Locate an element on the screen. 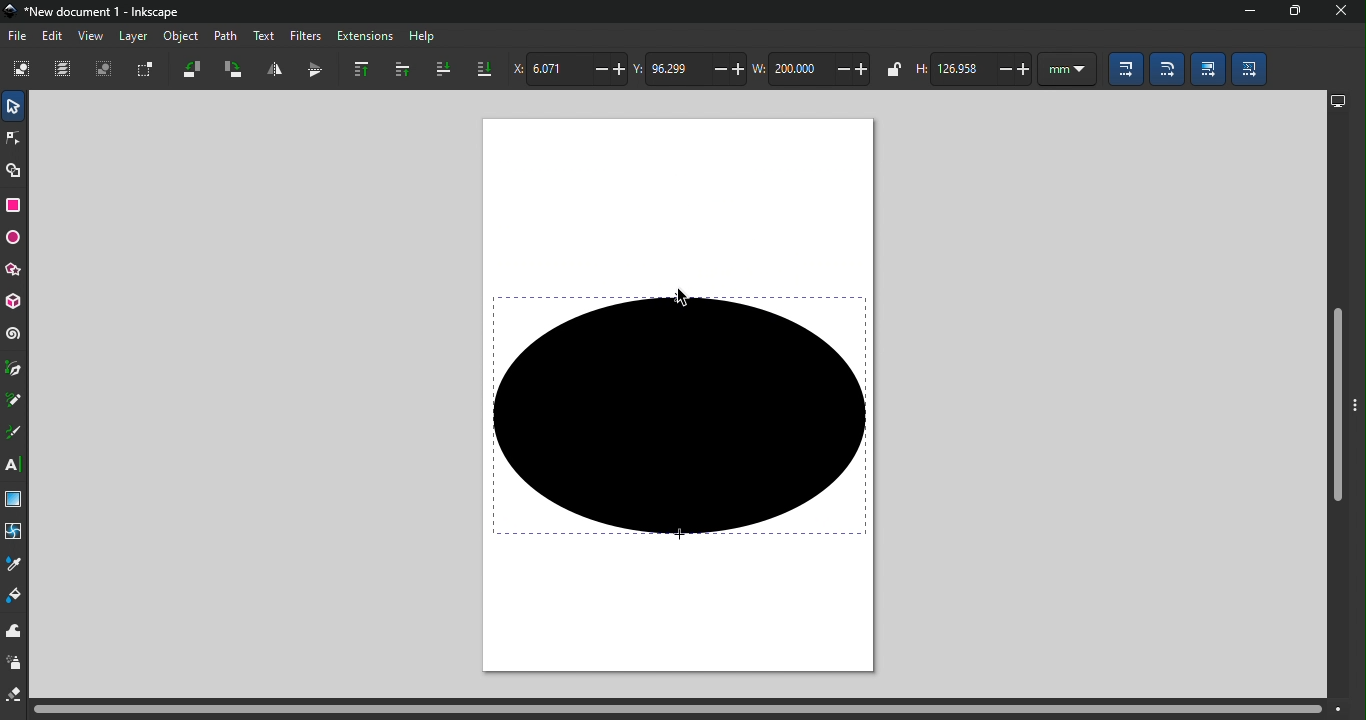 This screenshot has height=720, width=1366. Edit is located at coordinates (53, 35).